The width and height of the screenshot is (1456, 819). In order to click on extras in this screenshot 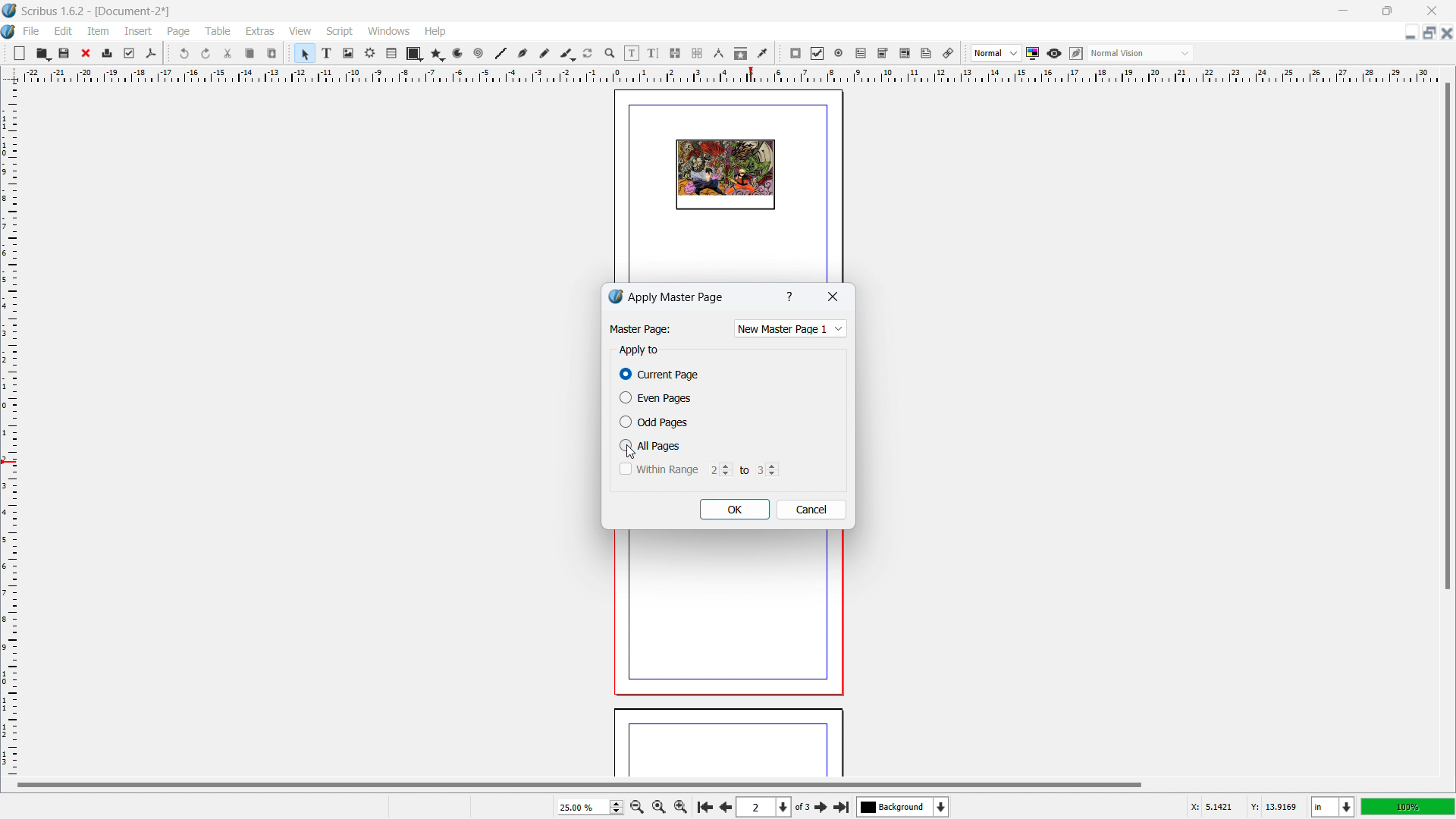, I will do `click(261, 31)`.